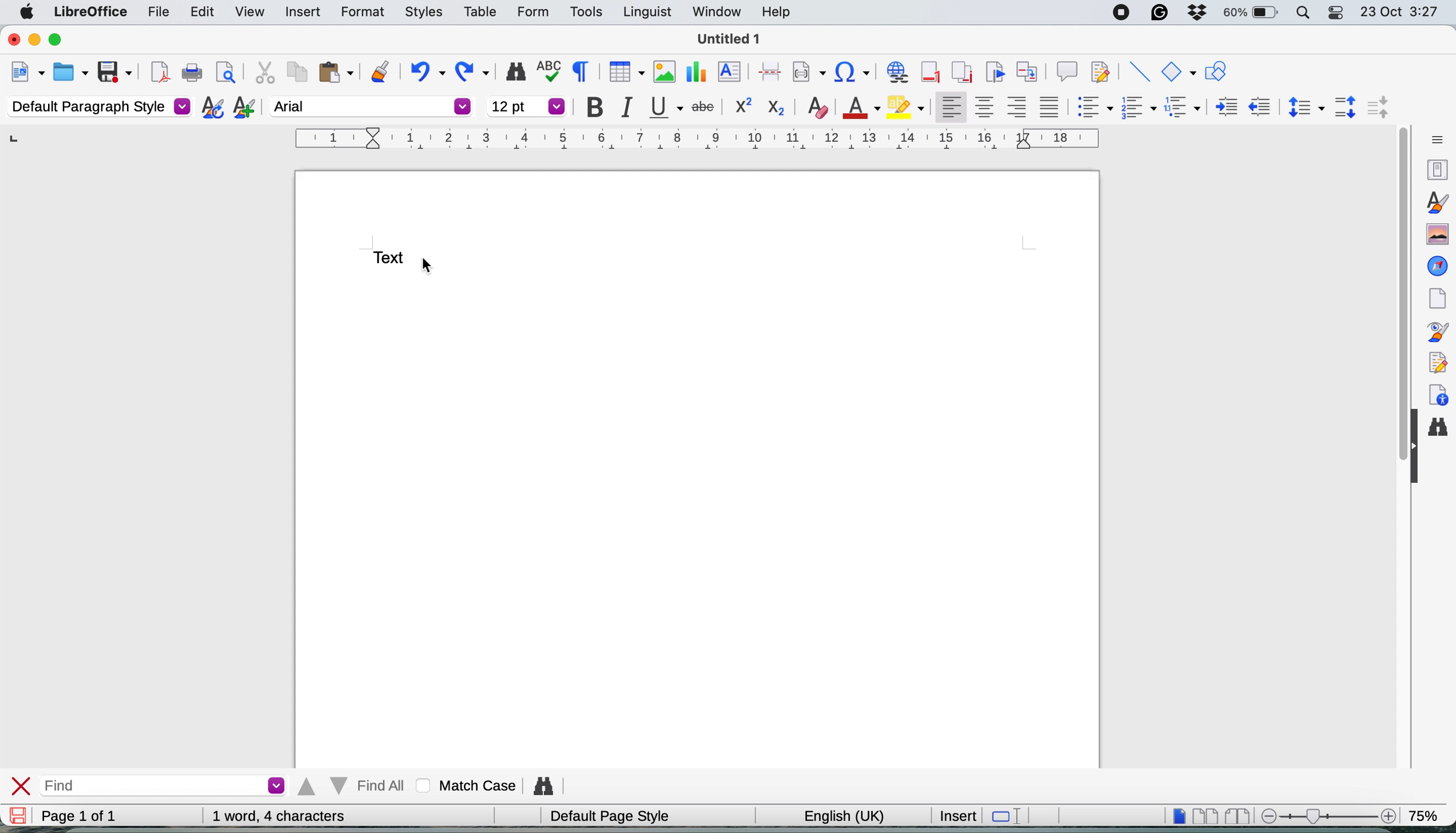 This screenshot has width=1456, height=833. What do you see at coordinates (1439, 392) in the screenshot?
I see `accessibility checks` at bounding box center [1439, 392].